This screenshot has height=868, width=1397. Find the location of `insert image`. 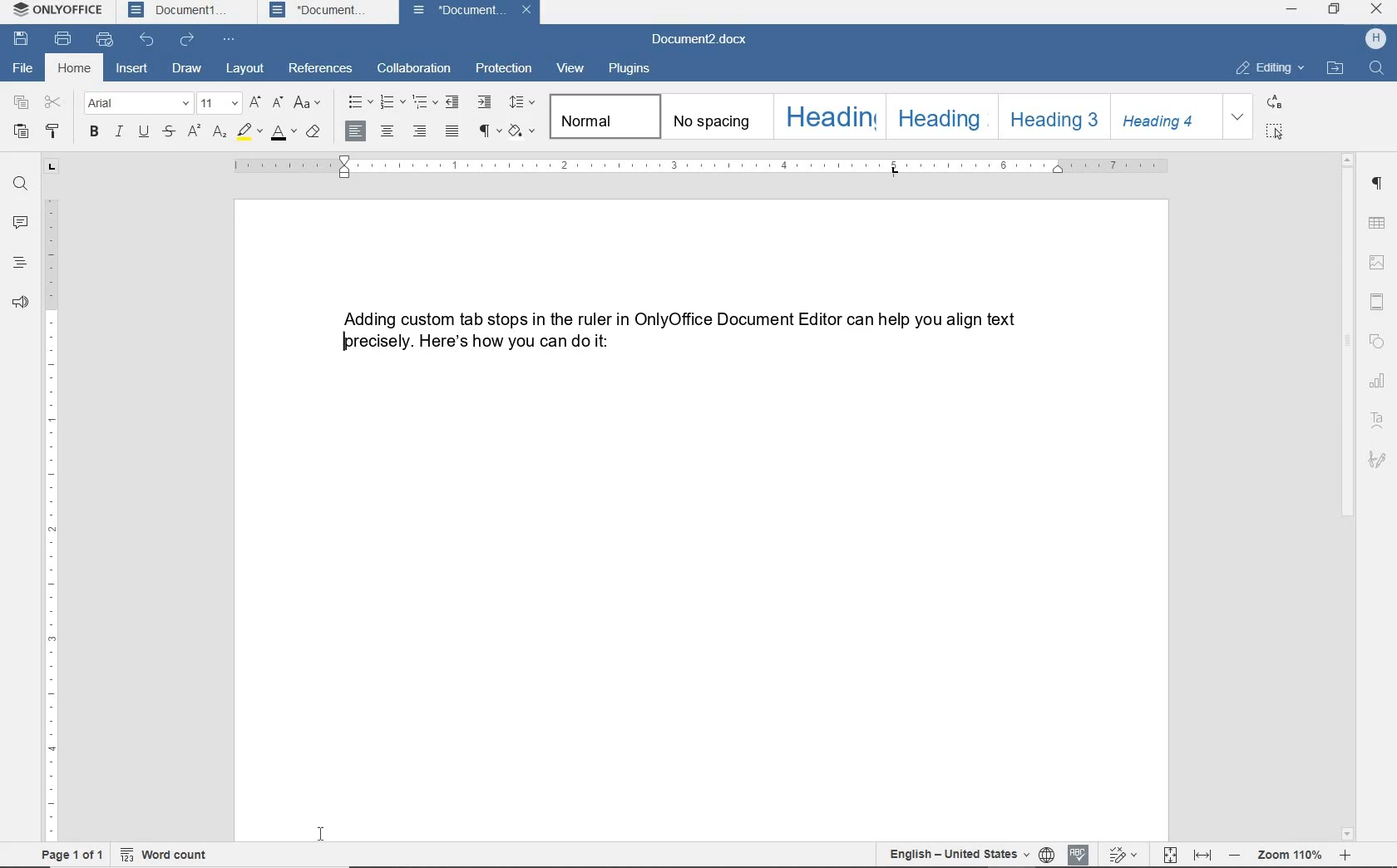

insert image is located at coordinates (1376, 264).